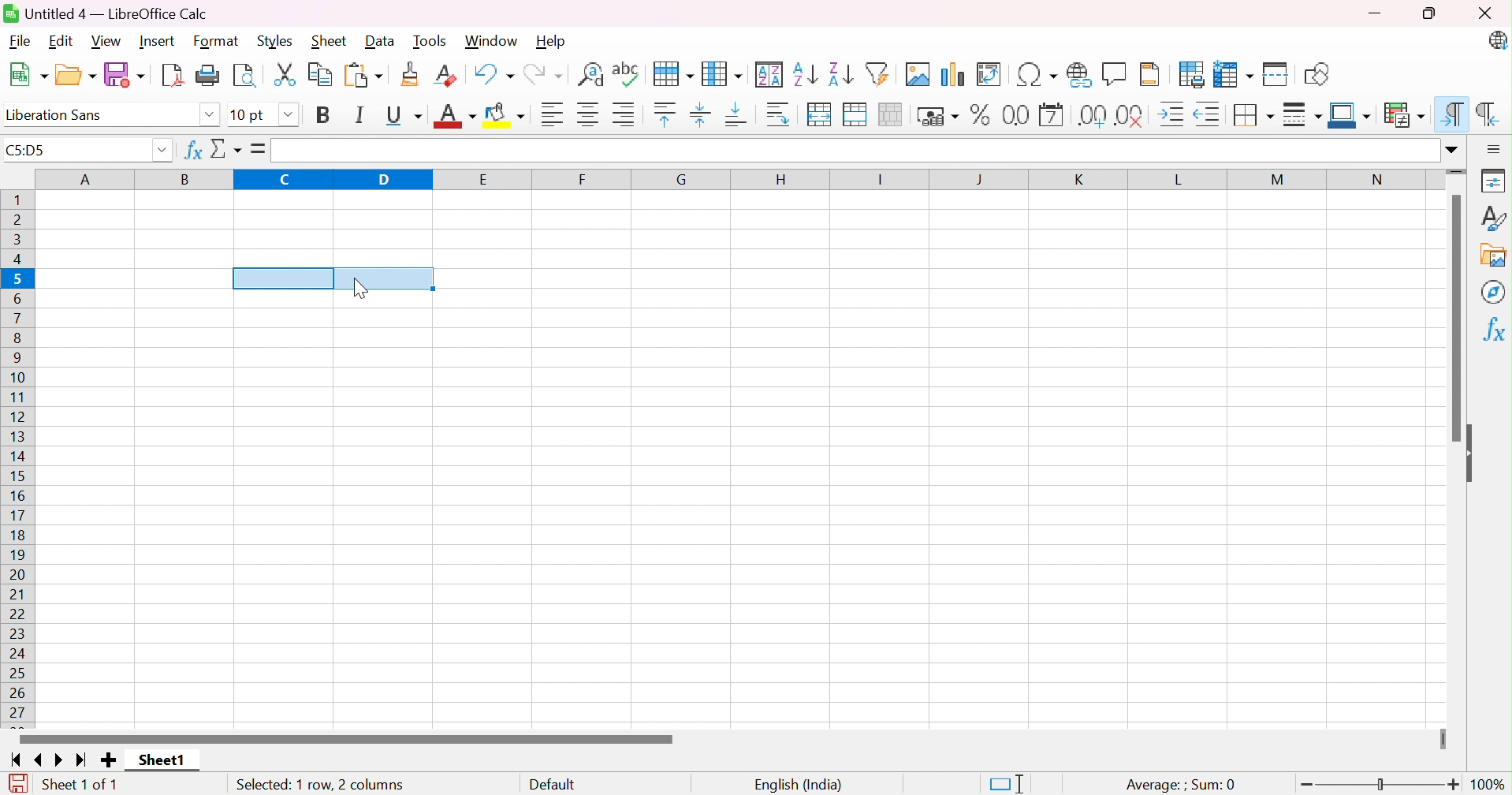 The image size is (1512, 795). What do you see at coordinates (1443, 740) in the screenshot?
I see `Slider` at bounding box center [1443, 740].